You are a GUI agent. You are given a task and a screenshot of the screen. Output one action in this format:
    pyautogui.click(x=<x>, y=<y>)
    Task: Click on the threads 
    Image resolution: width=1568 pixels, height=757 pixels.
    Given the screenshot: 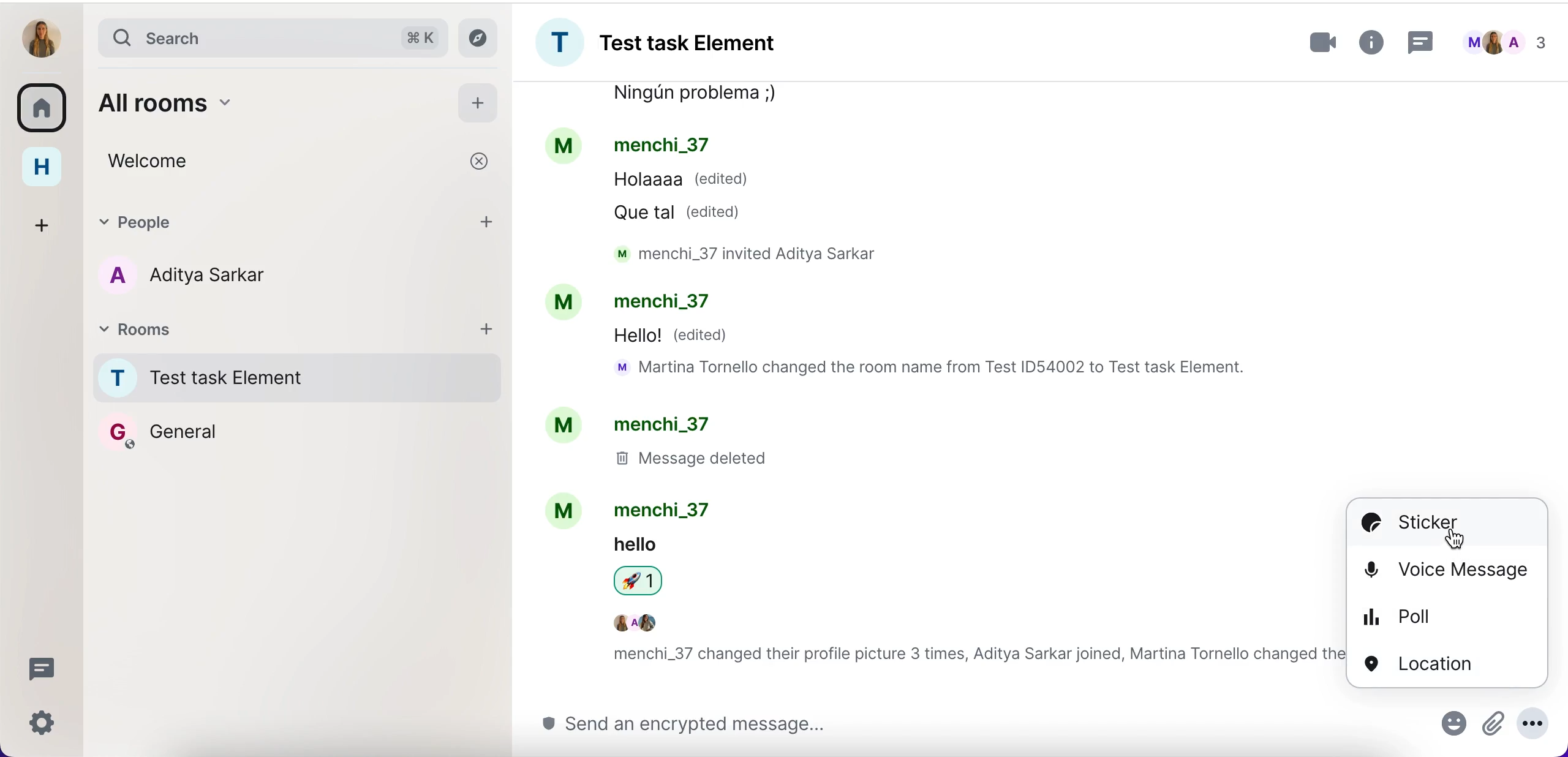 What is the action you would take?
    pyautogui.click(x=1421, y=40)
    